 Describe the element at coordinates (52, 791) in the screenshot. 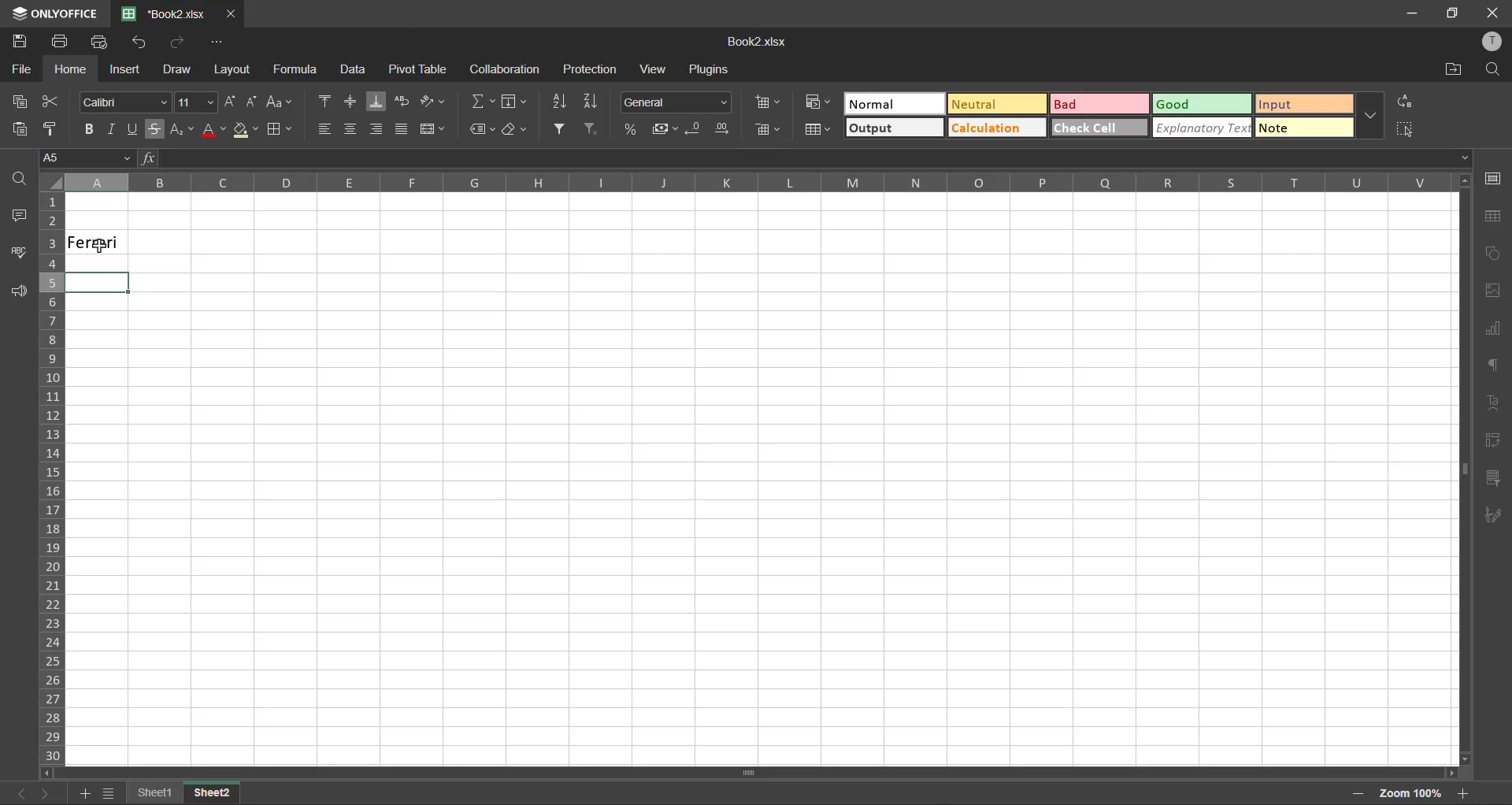

I see `next` at that location.